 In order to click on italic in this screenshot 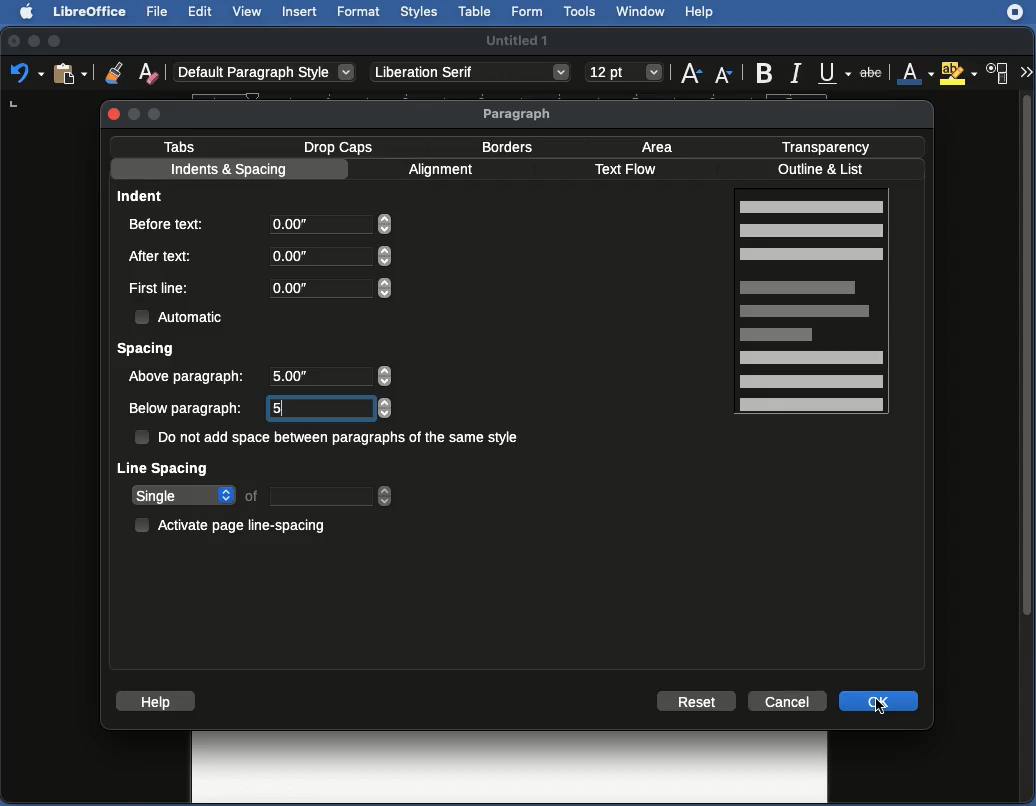, I will do `click(795, 71)`.